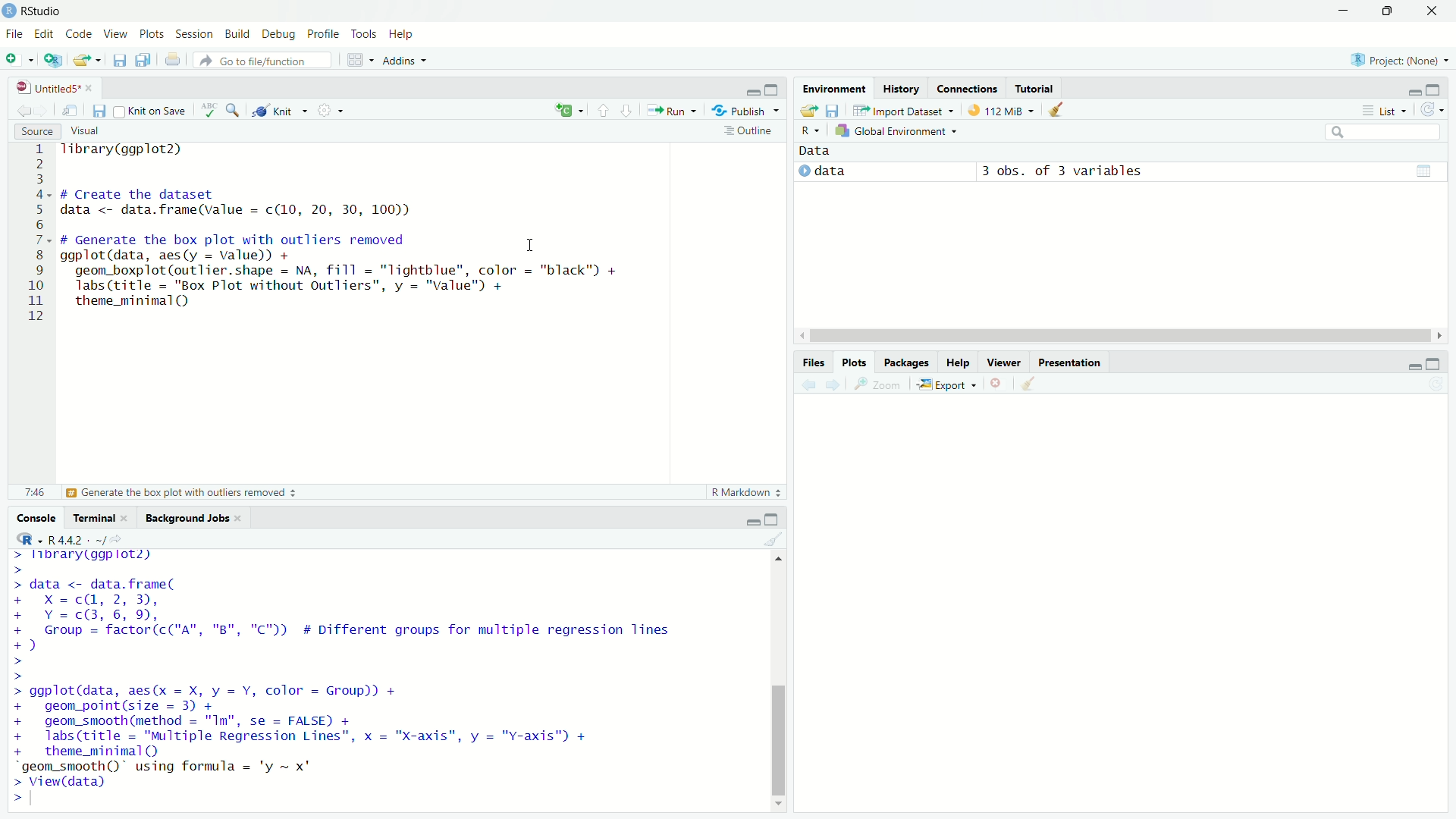 Image resolution: width=1456 pixels, height=819 pixels. I want to click on scroll bar, so click(780, 678).